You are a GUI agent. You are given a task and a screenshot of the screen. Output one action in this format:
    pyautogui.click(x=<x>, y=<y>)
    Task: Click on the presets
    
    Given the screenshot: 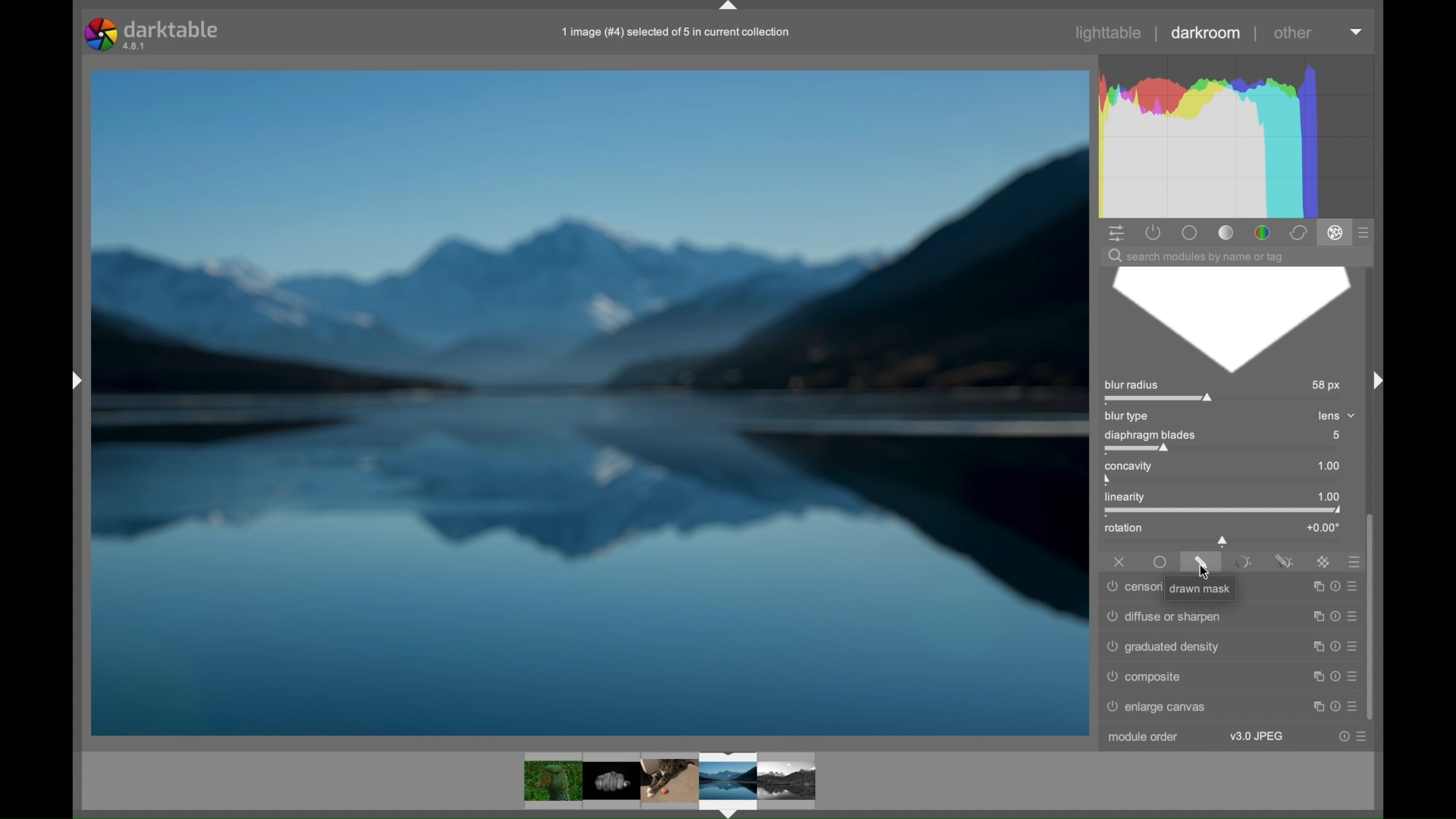 What is the action you would take?
    pyautogui.click(x=1350, y=561)
    